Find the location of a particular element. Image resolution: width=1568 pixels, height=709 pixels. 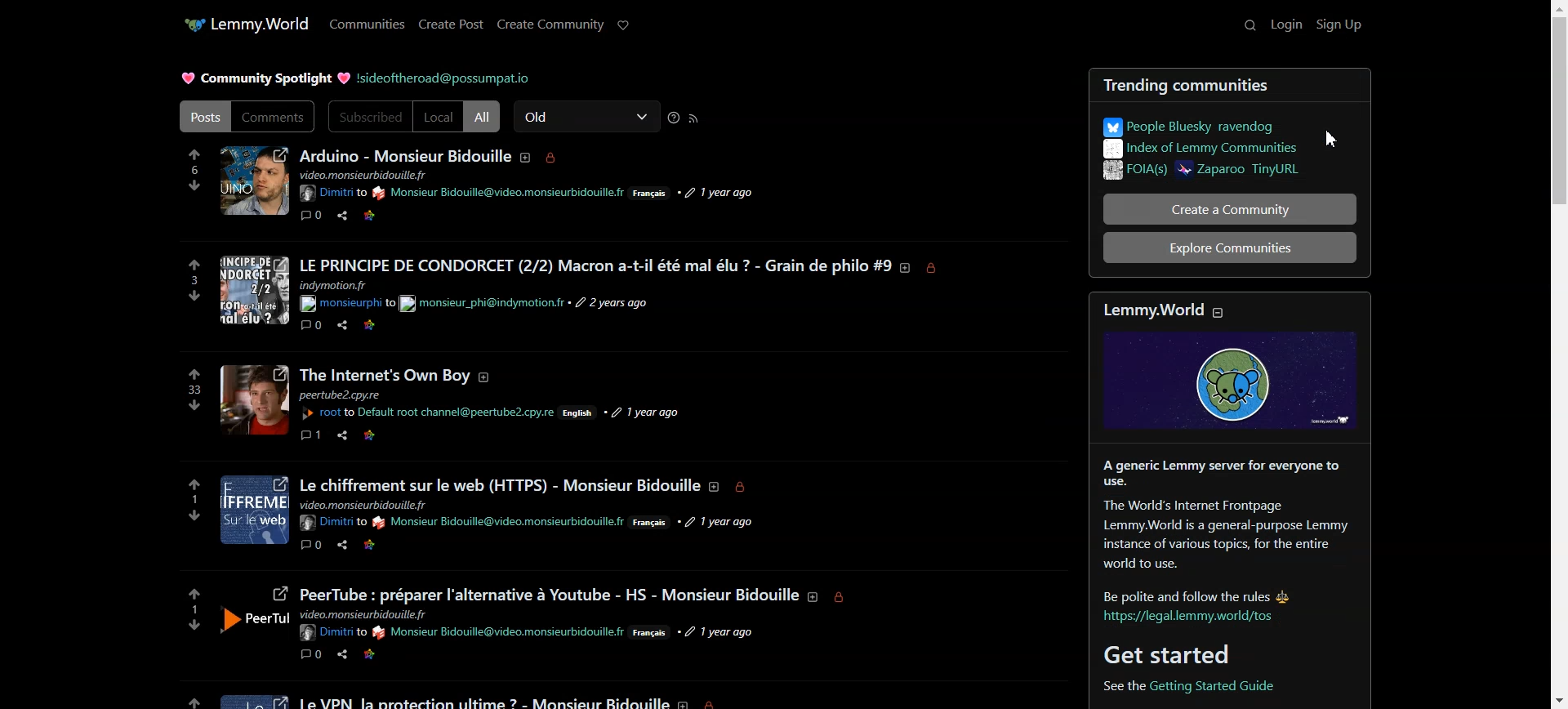

Locked is located at coordinates (552, 158).